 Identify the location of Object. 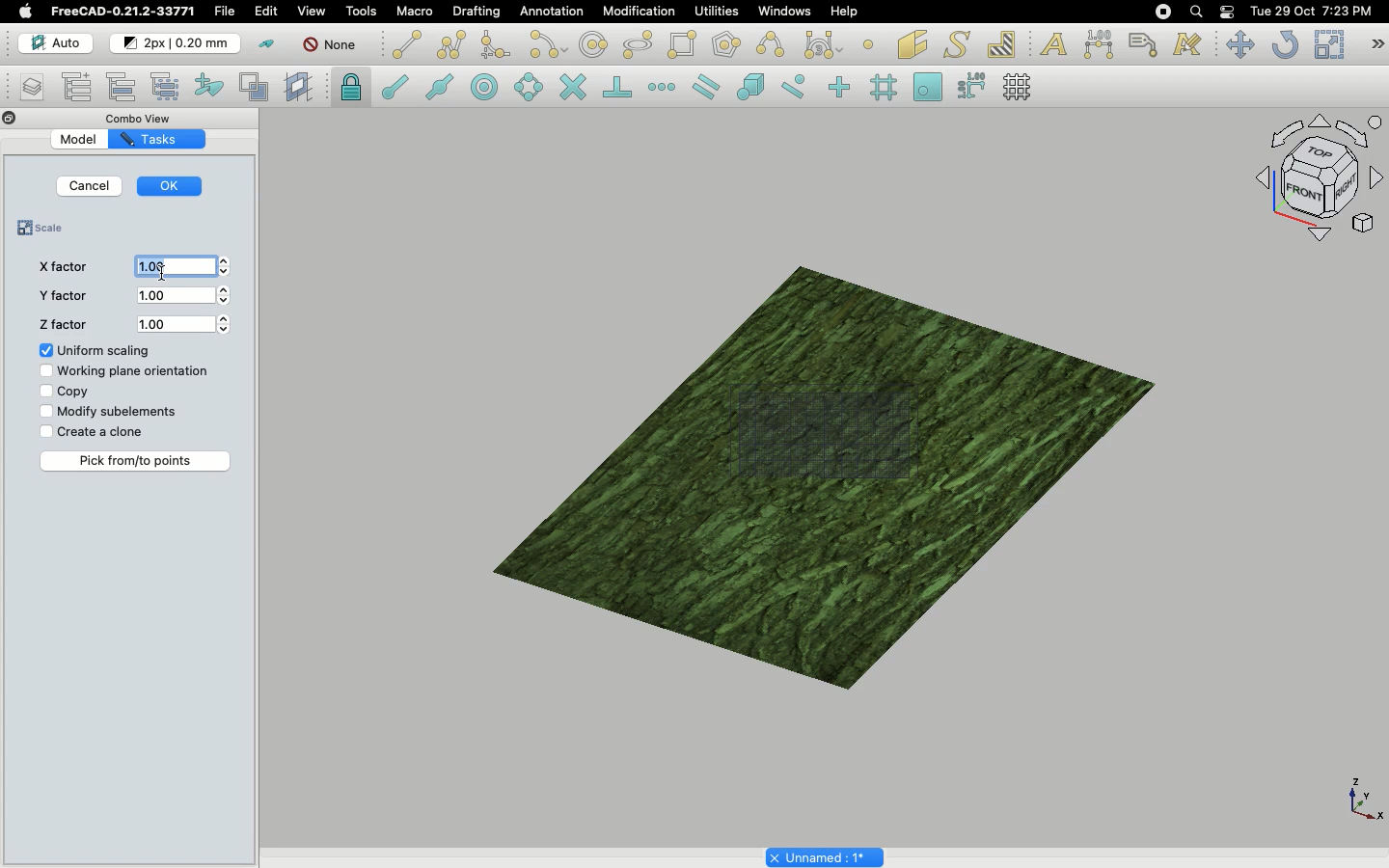
(823, 459).